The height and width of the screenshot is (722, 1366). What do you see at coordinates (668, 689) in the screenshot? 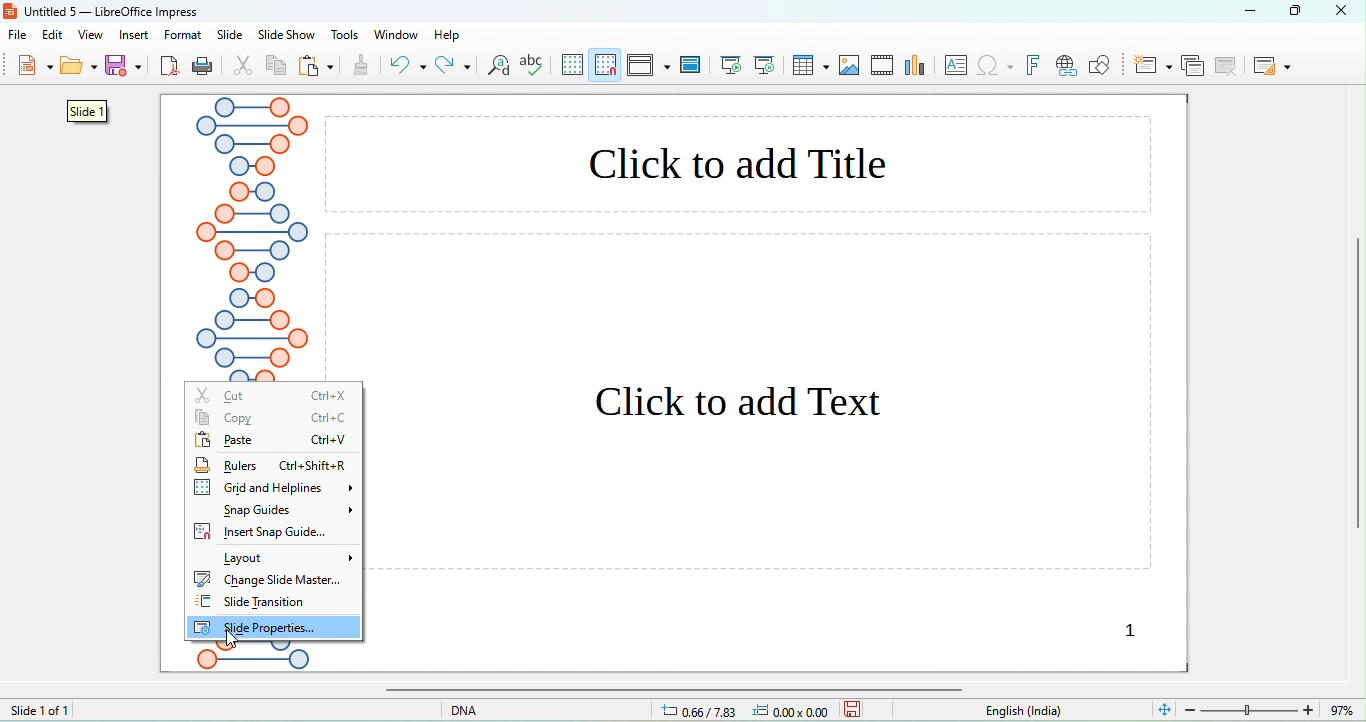
I see `horizontal scroll bar` at bounding box center [668, 689].